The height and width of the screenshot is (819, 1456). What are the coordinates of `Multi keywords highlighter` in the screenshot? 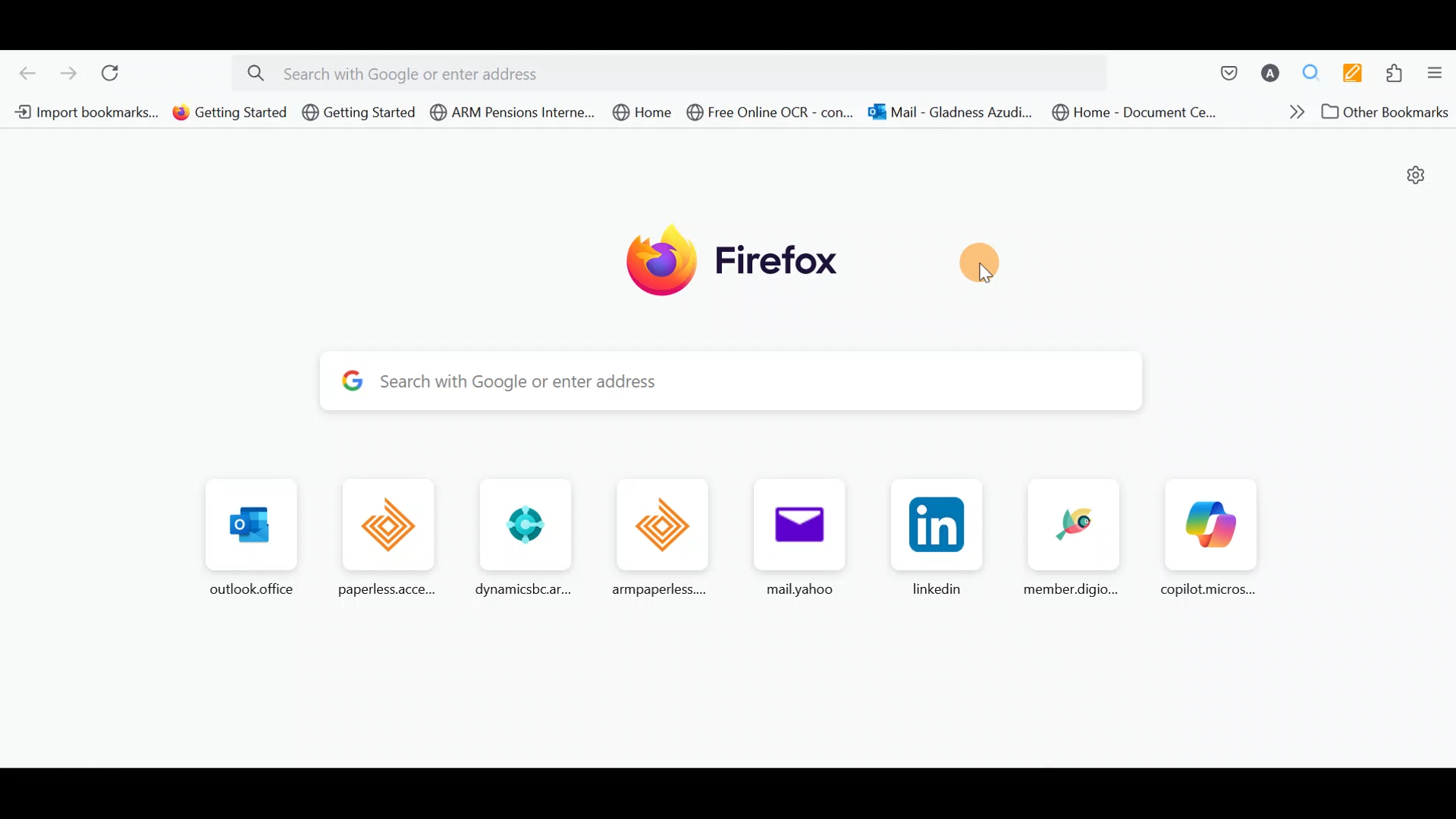 It's located at (1352, 70).